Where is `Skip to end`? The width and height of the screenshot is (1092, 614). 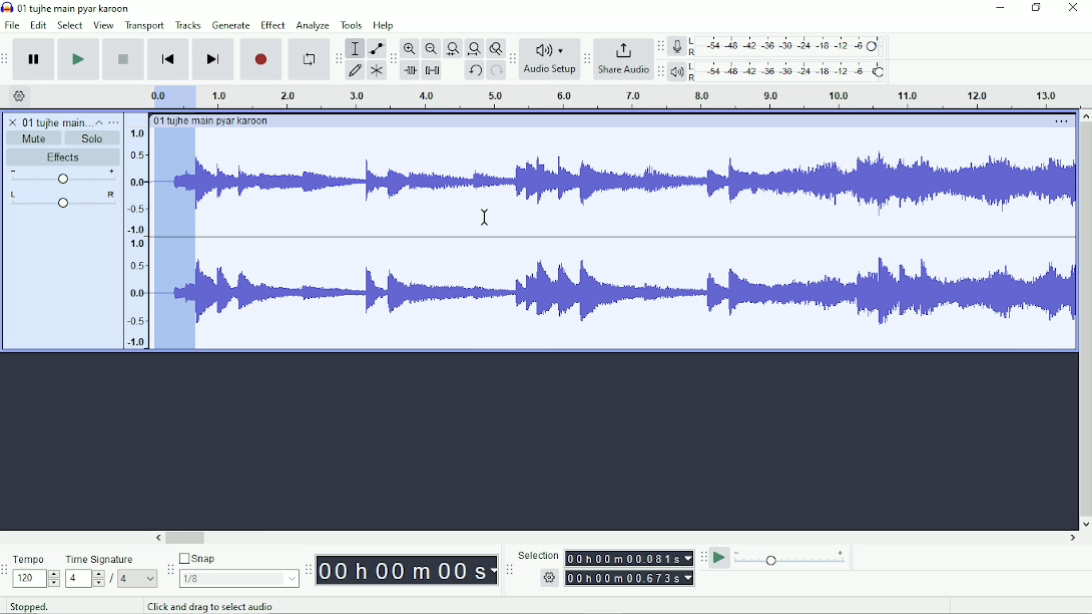
Skip to end is located at coordinates (213, 60).